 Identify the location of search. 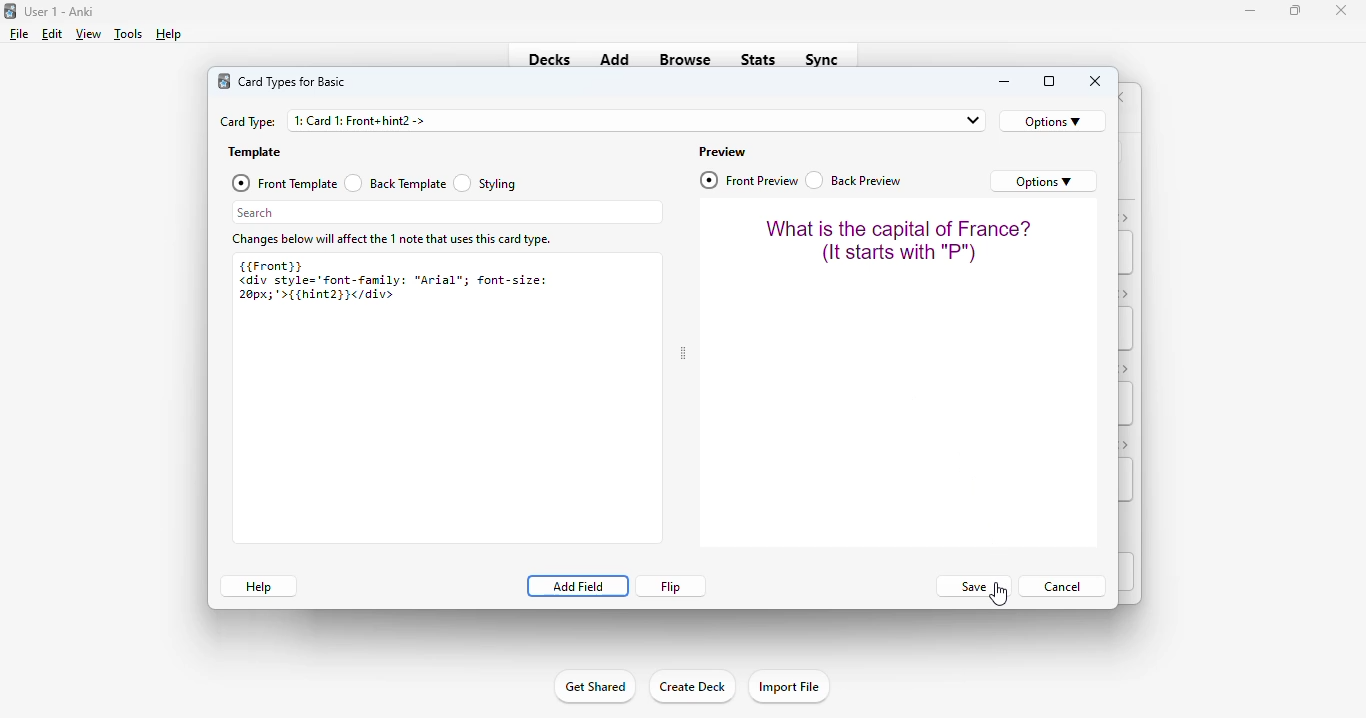
(447, 212).